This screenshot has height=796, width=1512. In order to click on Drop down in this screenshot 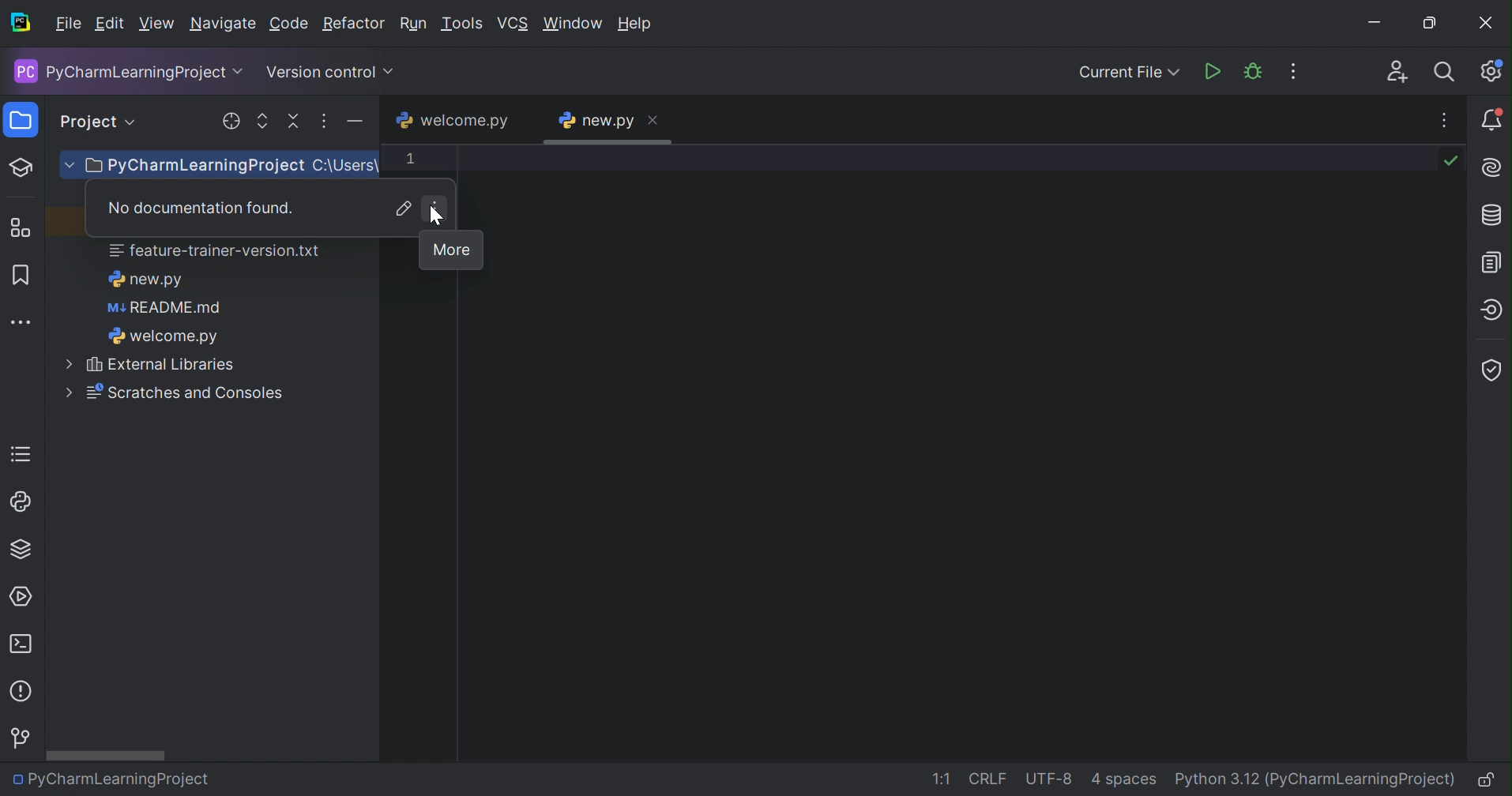, I will do `click(134, 122)`.